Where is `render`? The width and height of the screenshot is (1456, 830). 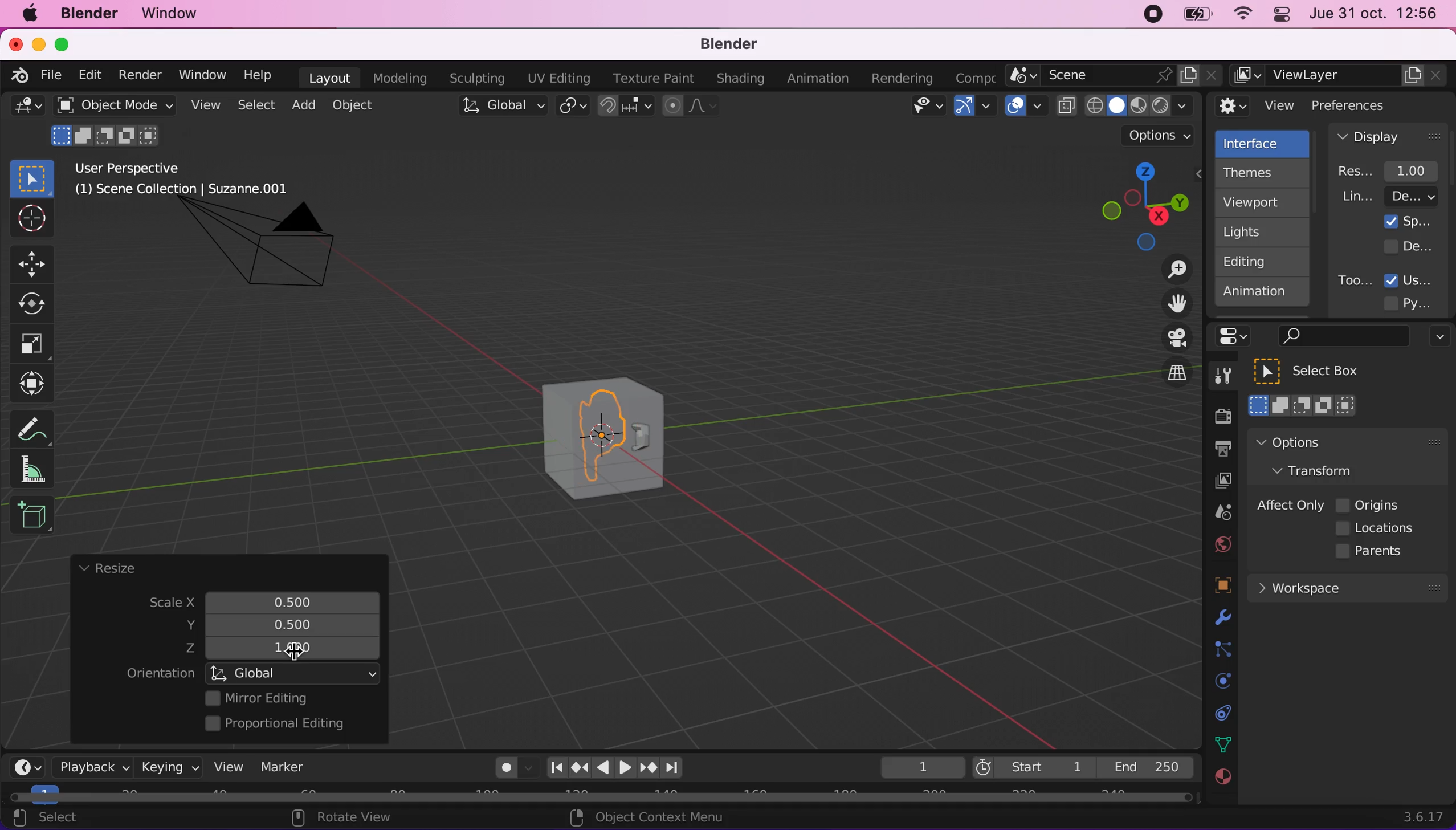
render is located at coordinates (139, 76).